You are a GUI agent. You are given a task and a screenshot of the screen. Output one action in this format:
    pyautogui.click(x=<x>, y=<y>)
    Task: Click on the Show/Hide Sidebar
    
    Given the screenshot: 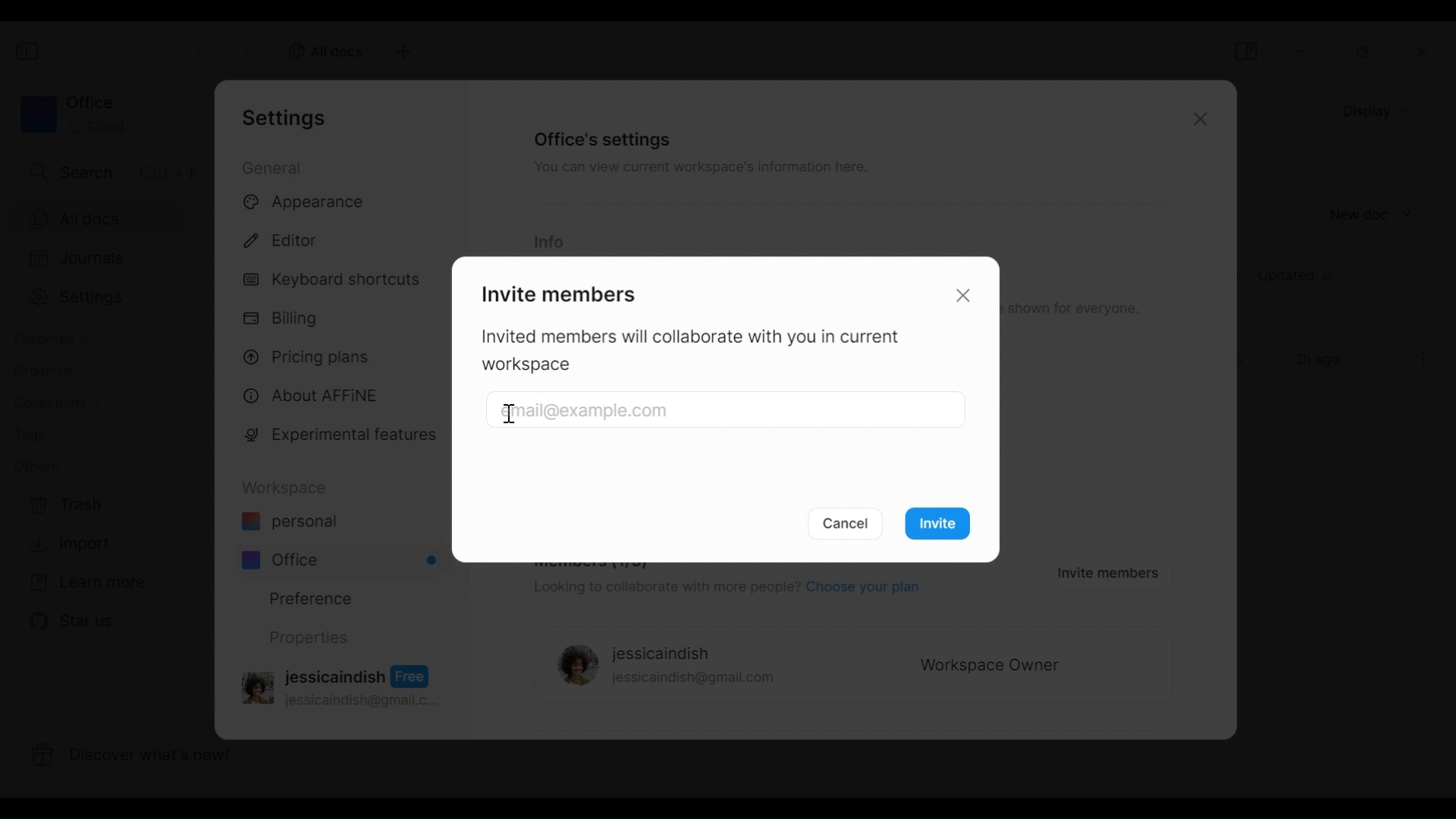 What is the action you would take?
    pyautogui.click(x=30, y=52)
    